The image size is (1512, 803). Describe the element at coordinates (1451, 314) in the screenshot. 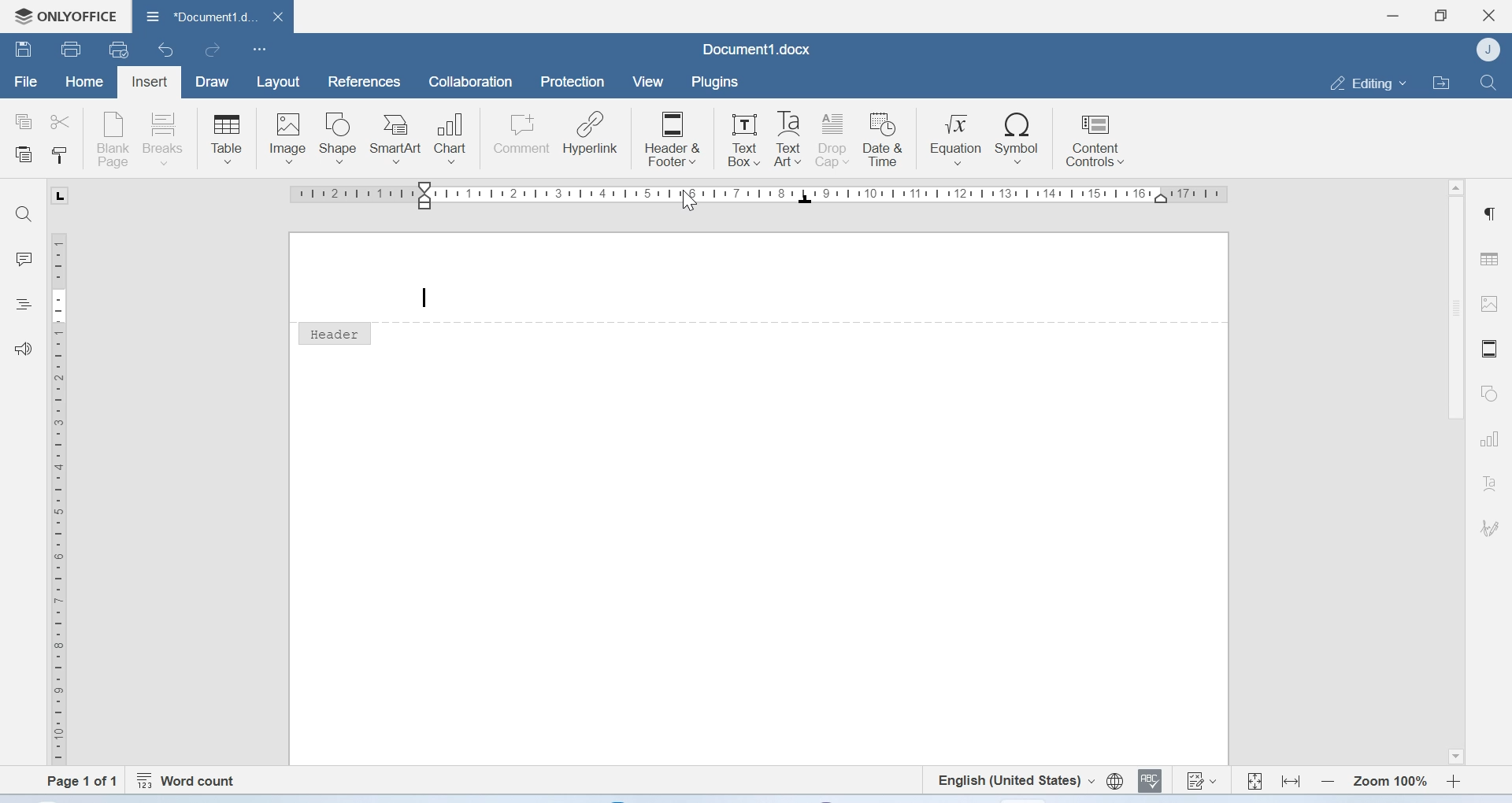

I see `Scrollbar` at that location.